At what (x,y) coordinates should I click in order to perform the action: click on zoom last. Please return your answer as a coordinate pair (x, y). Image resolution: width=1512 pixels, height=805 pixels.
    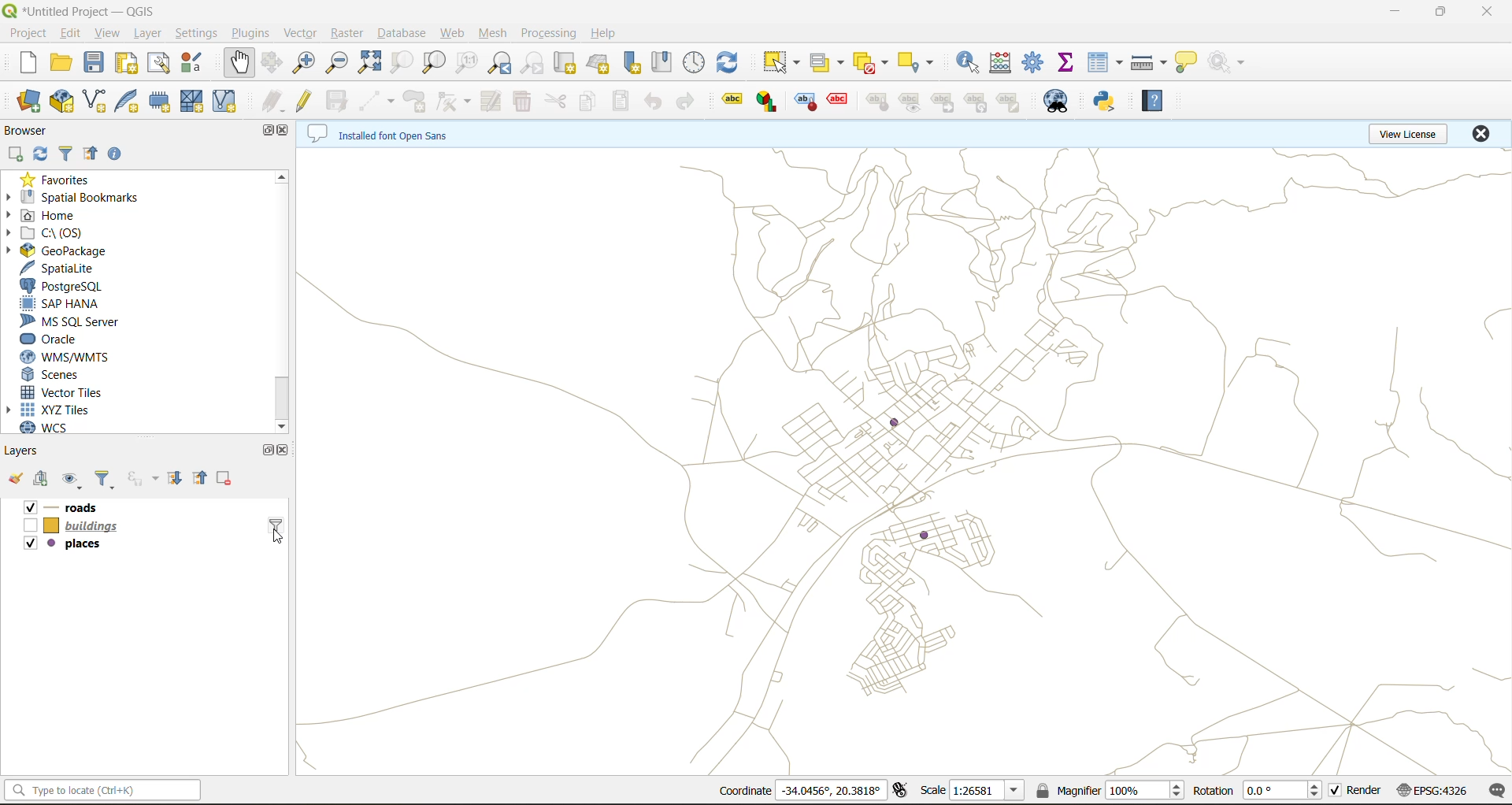
    Looking at the image, I should click on (501, 63).